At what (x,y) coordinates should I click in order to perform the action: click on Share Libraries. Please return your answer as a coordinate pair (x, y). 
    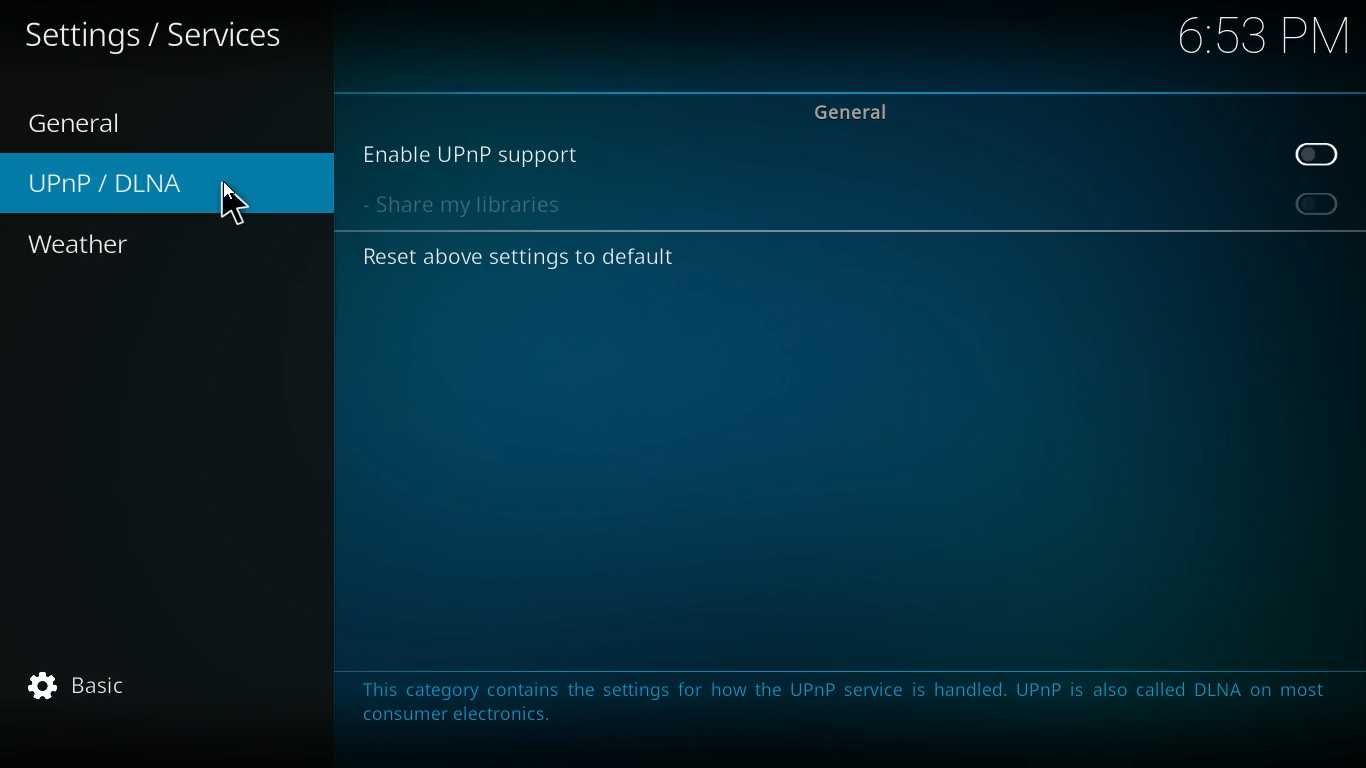
    Looking at the image, I should click on (849, 205).